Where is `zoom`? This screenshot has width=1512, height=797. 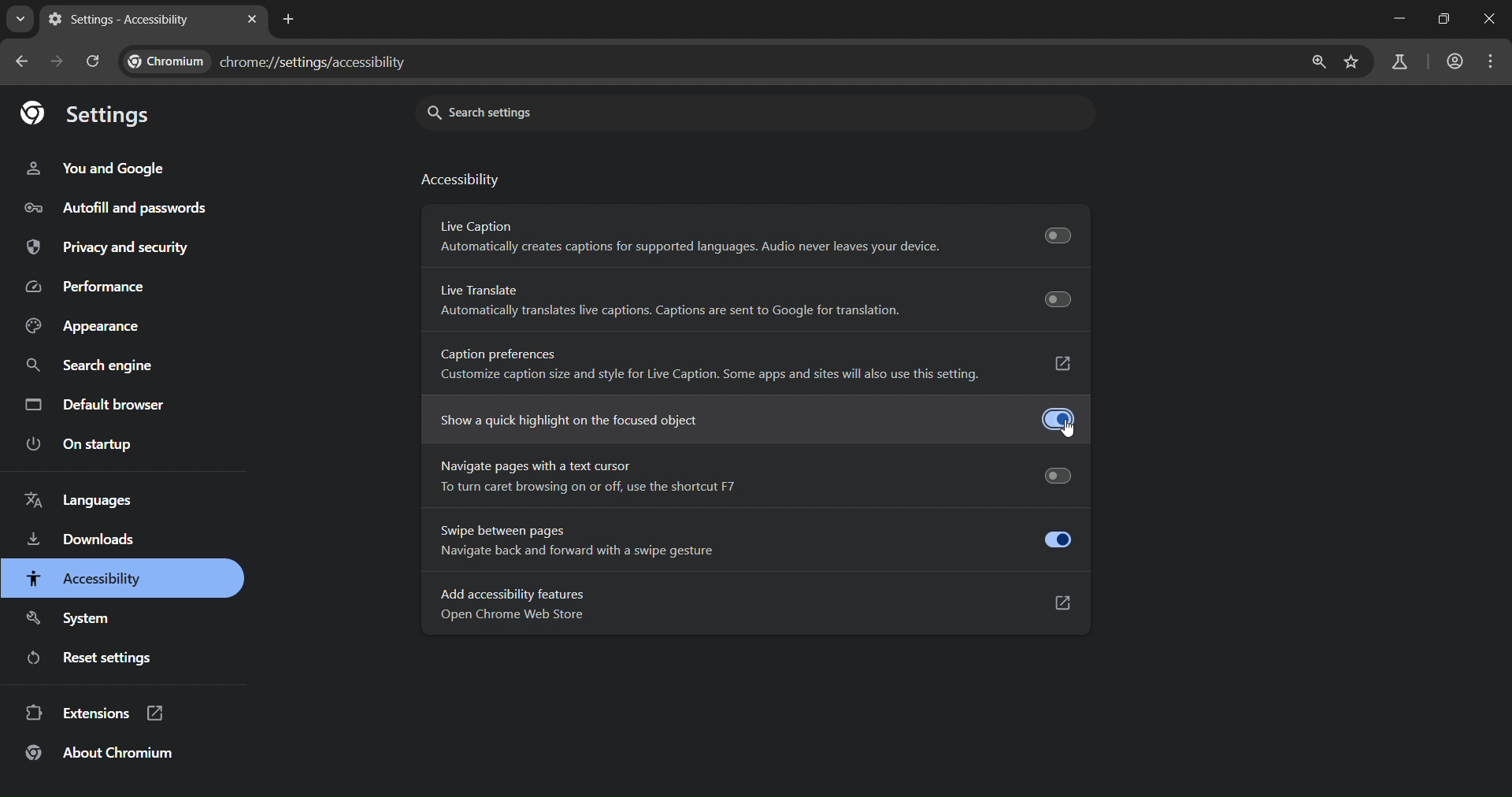
zoom is located at coordinates (1317, 63).